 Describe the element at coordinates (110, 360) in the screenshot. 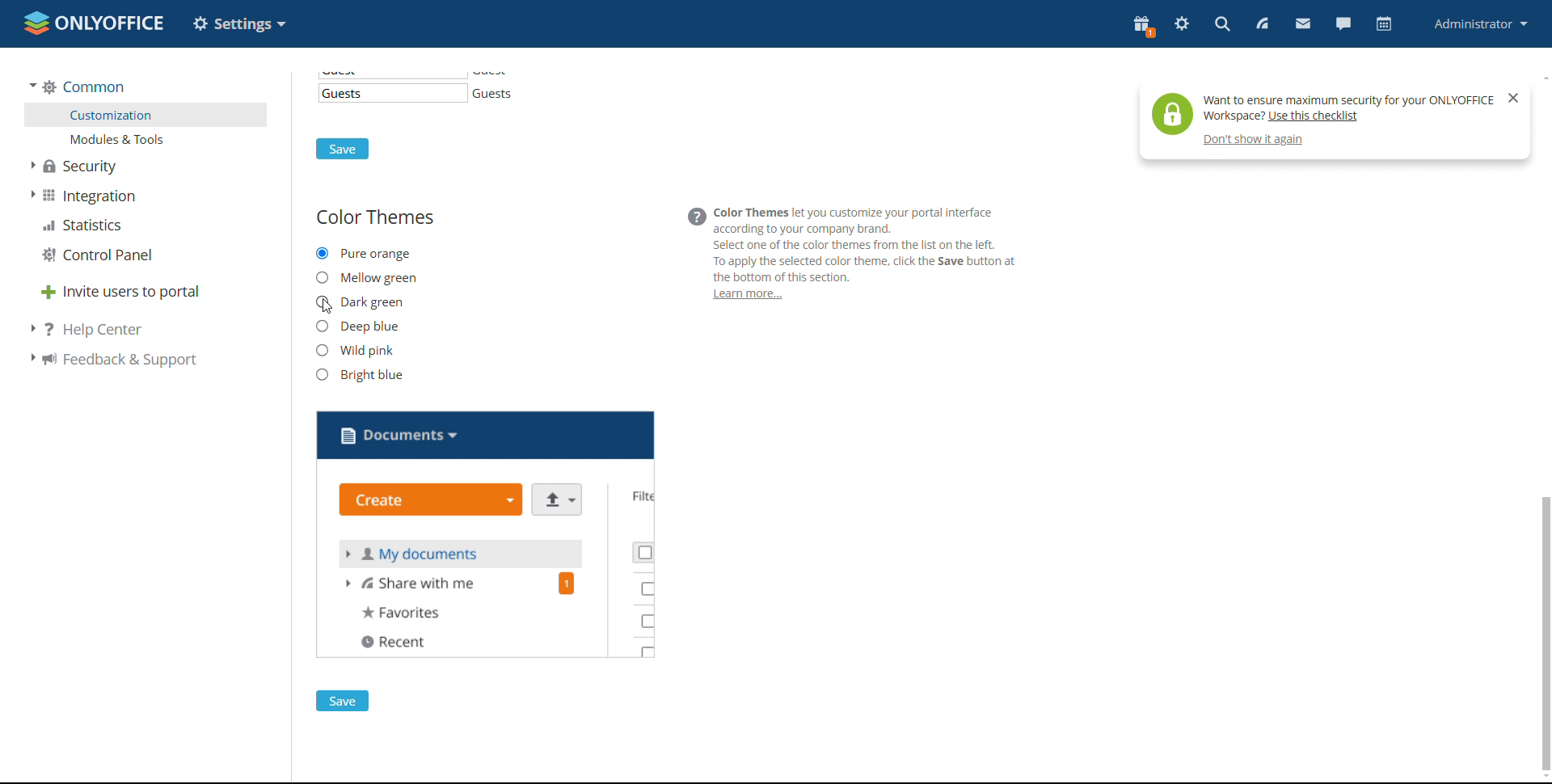

I see `feedback support` at that location.